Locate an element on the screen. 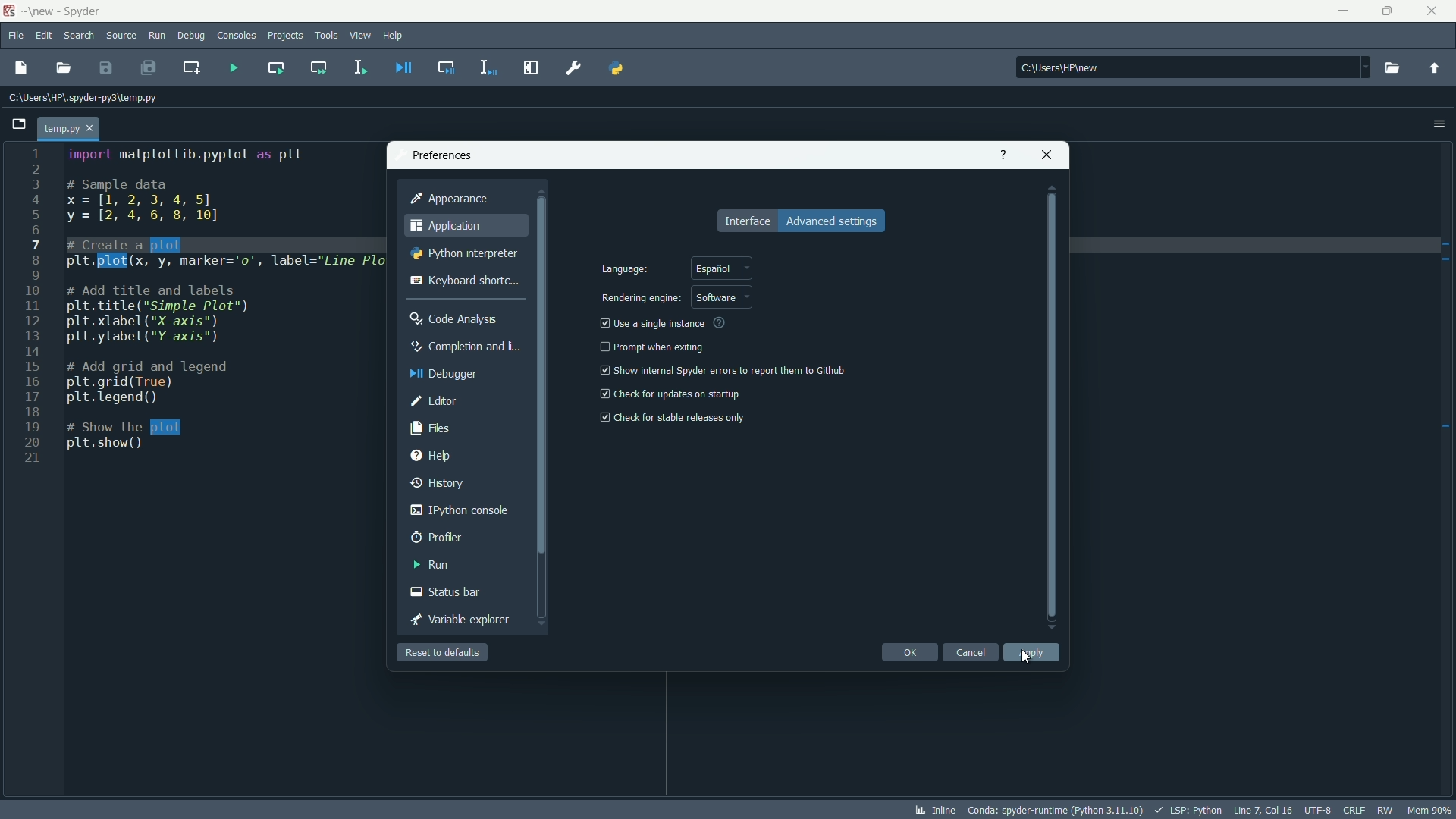  python interpreter is located at coordinates (466, 253).